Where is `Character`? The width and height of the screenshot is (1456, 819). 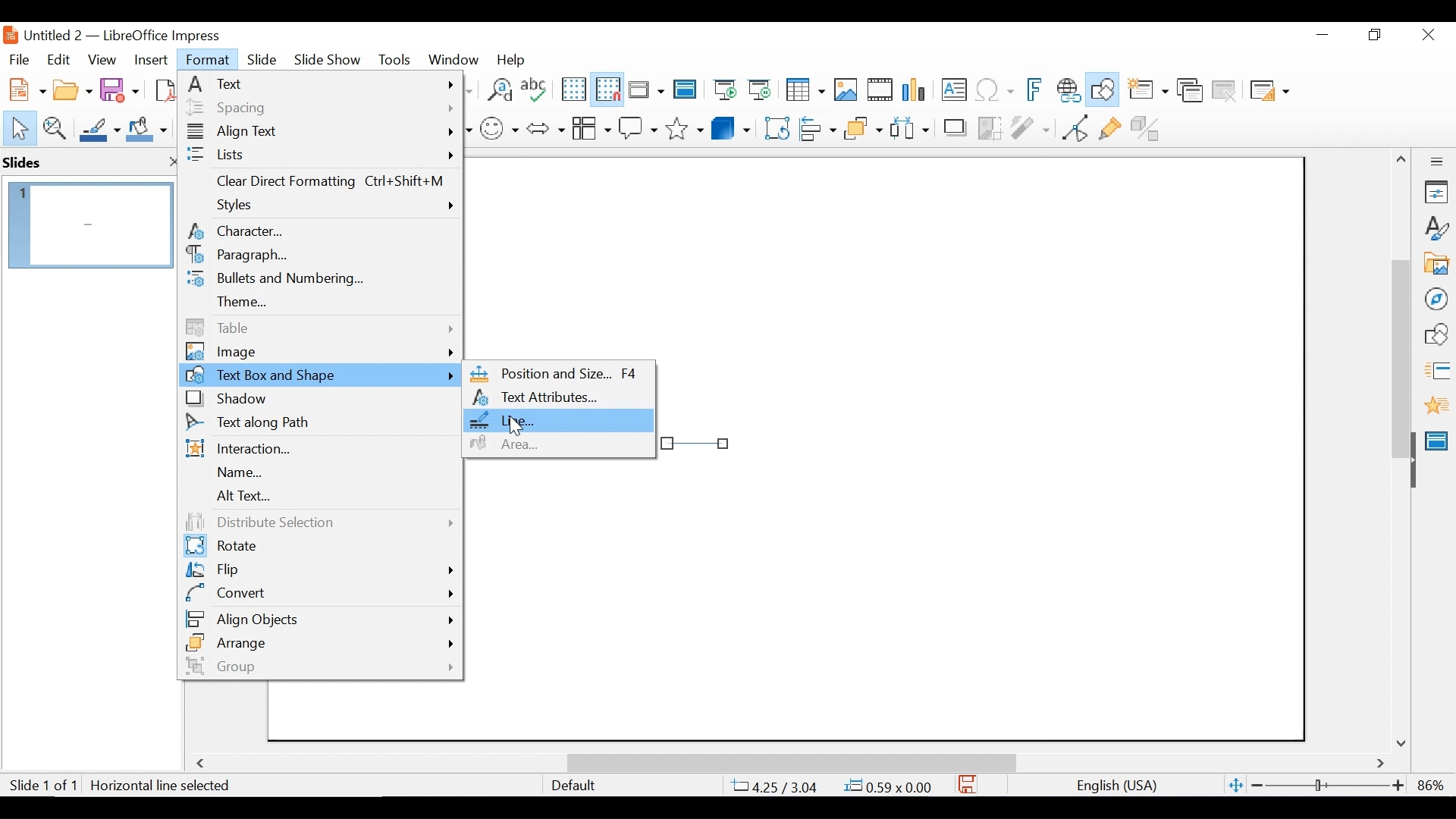
Character is located at coordinates (319, 231).